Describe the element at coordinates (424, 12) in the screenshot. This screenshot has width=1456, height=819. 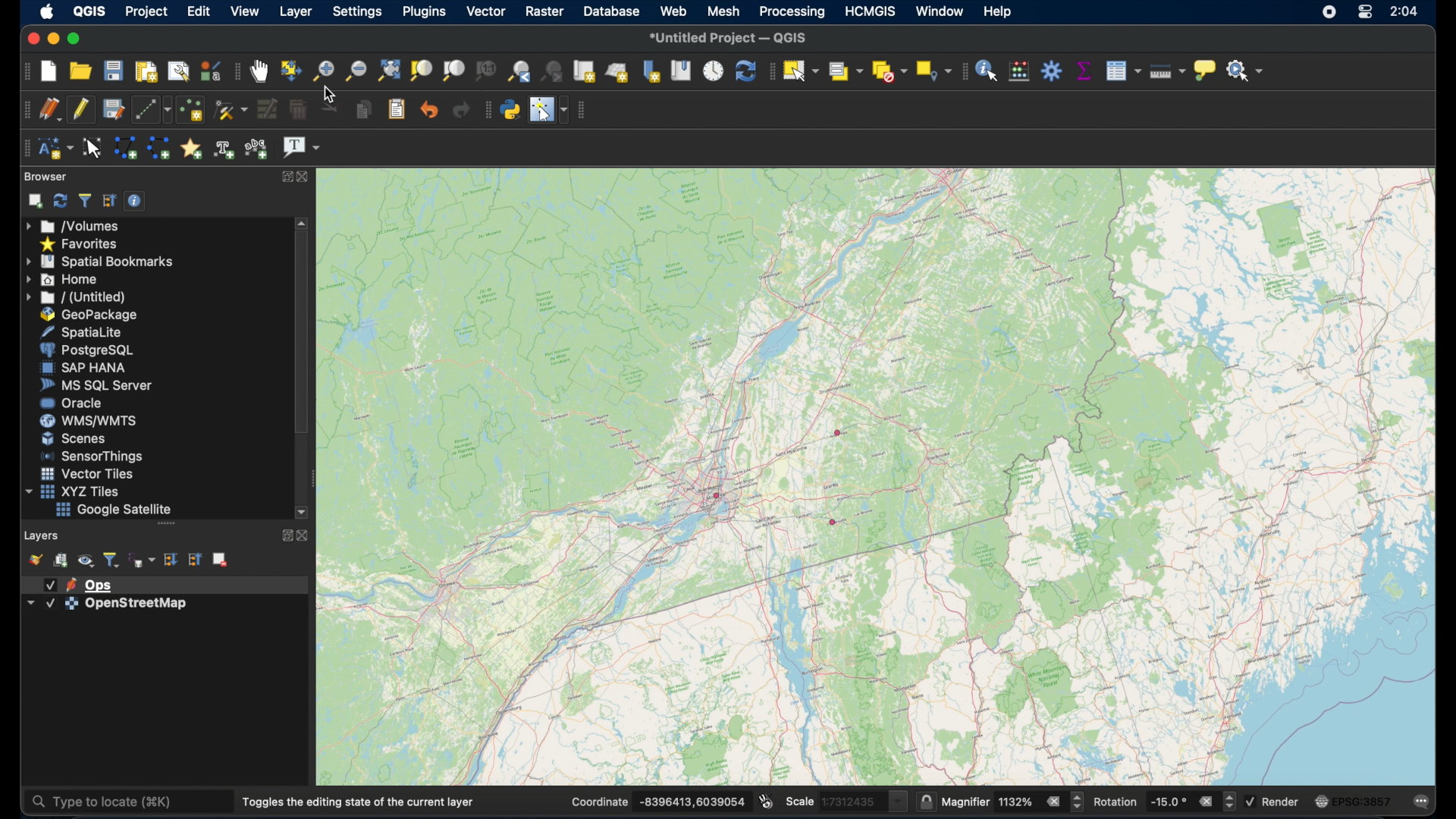
I see `plugins` at that location.